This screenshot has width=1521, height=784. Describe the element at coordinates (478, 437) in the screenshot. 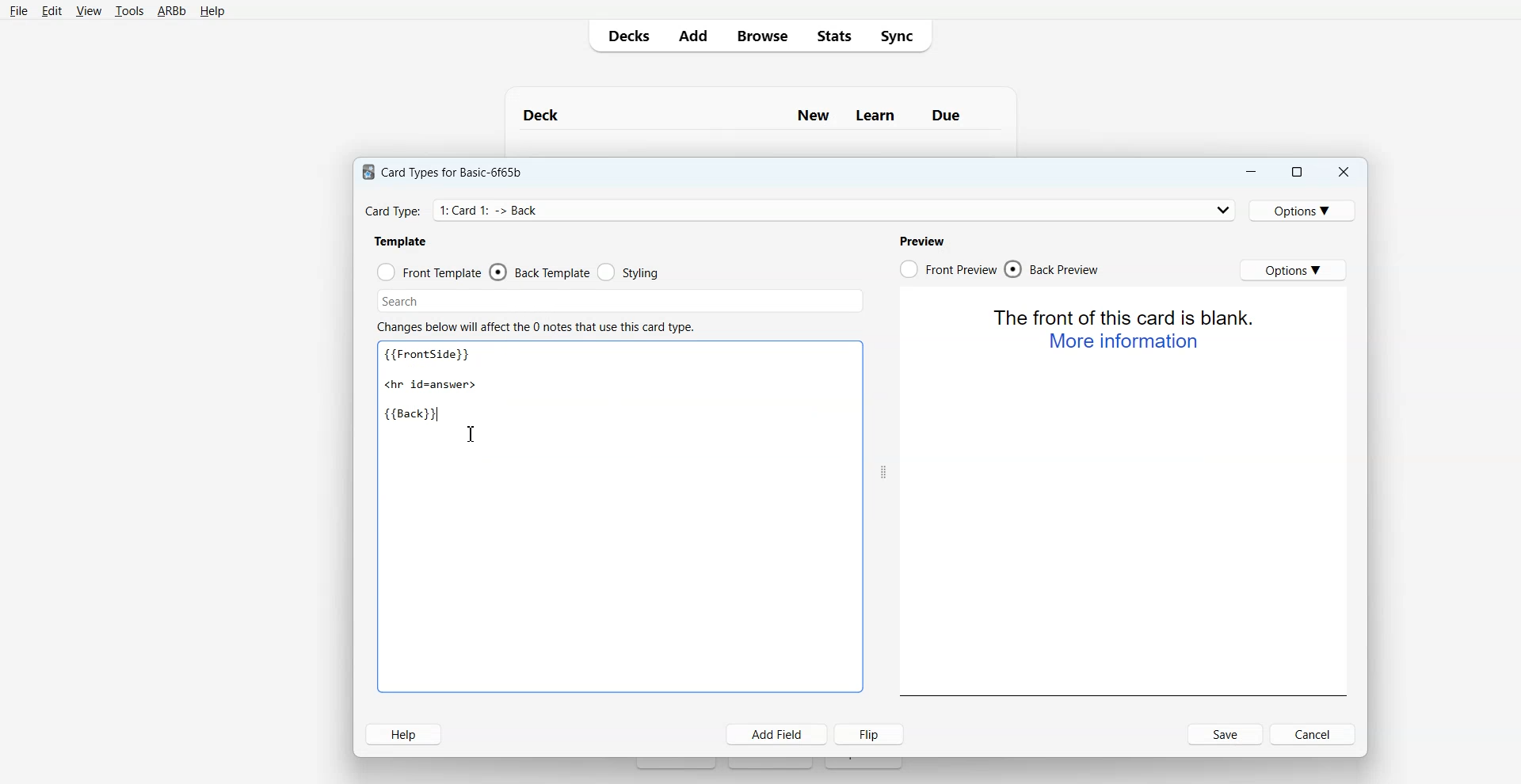

I see `Text Cursor` at that location.